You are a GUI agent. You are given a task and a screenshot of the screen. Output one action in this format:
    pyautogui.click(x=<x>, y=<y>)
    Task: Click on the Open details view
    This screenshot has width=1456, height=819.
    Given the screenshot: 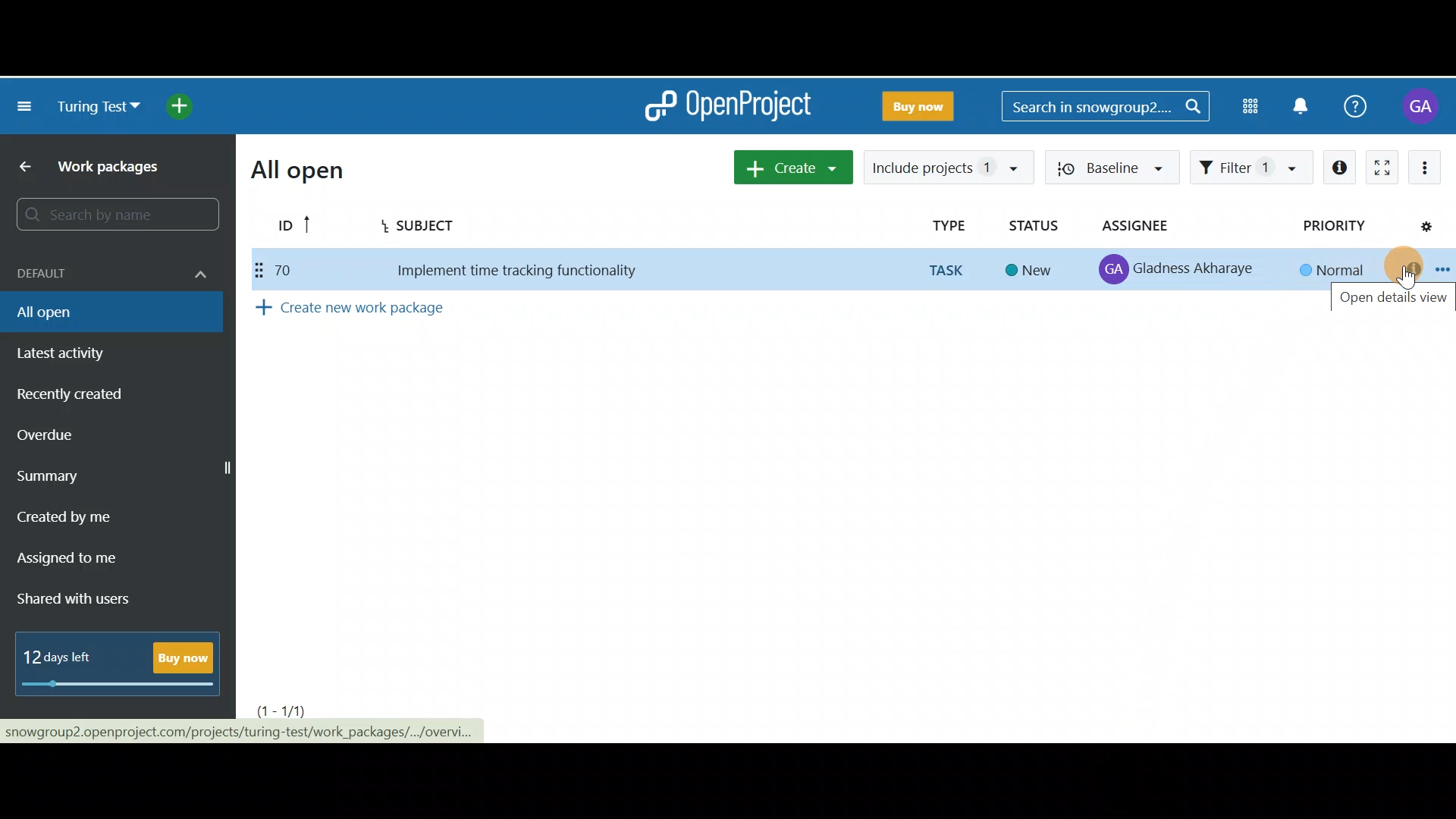 What is the action you would take?
    pyautogui.click(x=1404, y=268)
    